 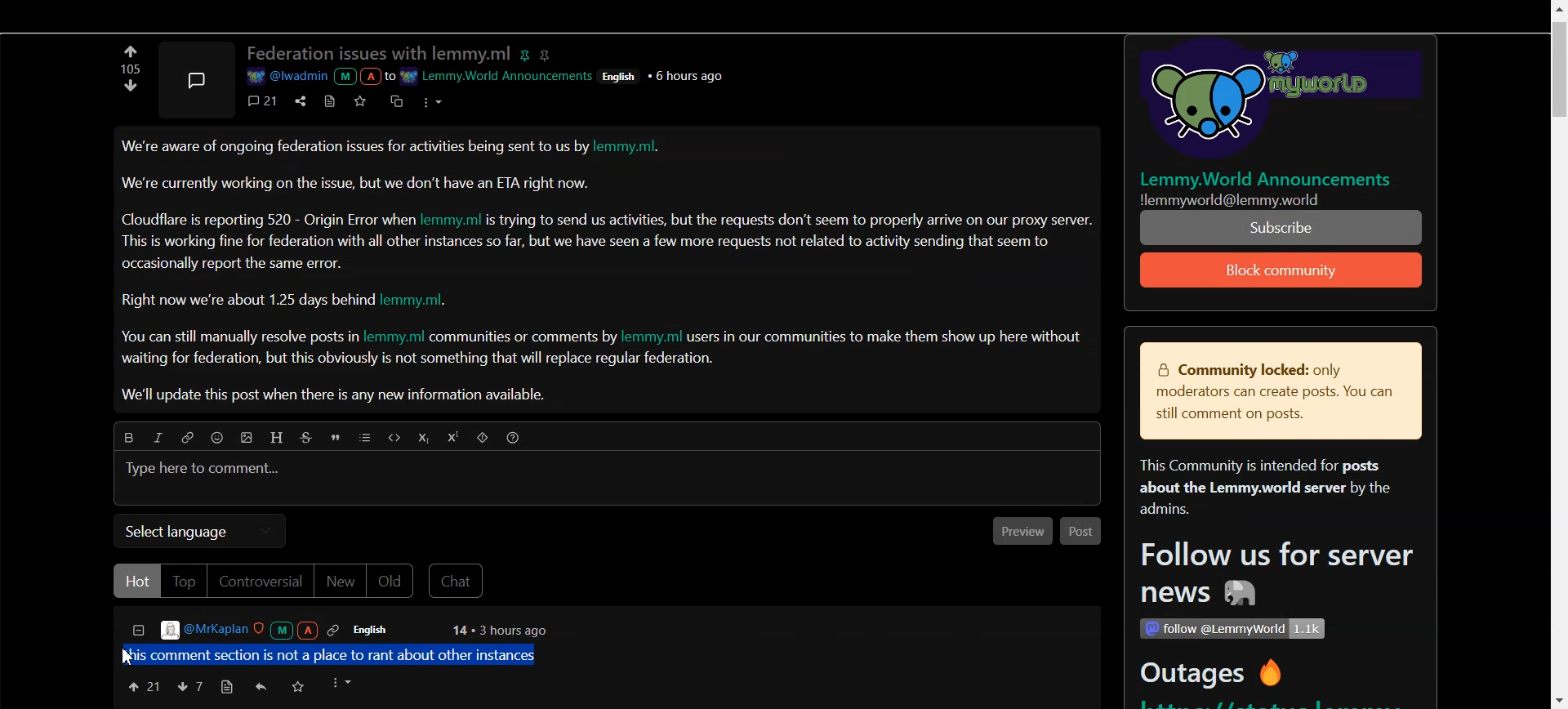 I want to click on Bold, so click(x=124, y=435).